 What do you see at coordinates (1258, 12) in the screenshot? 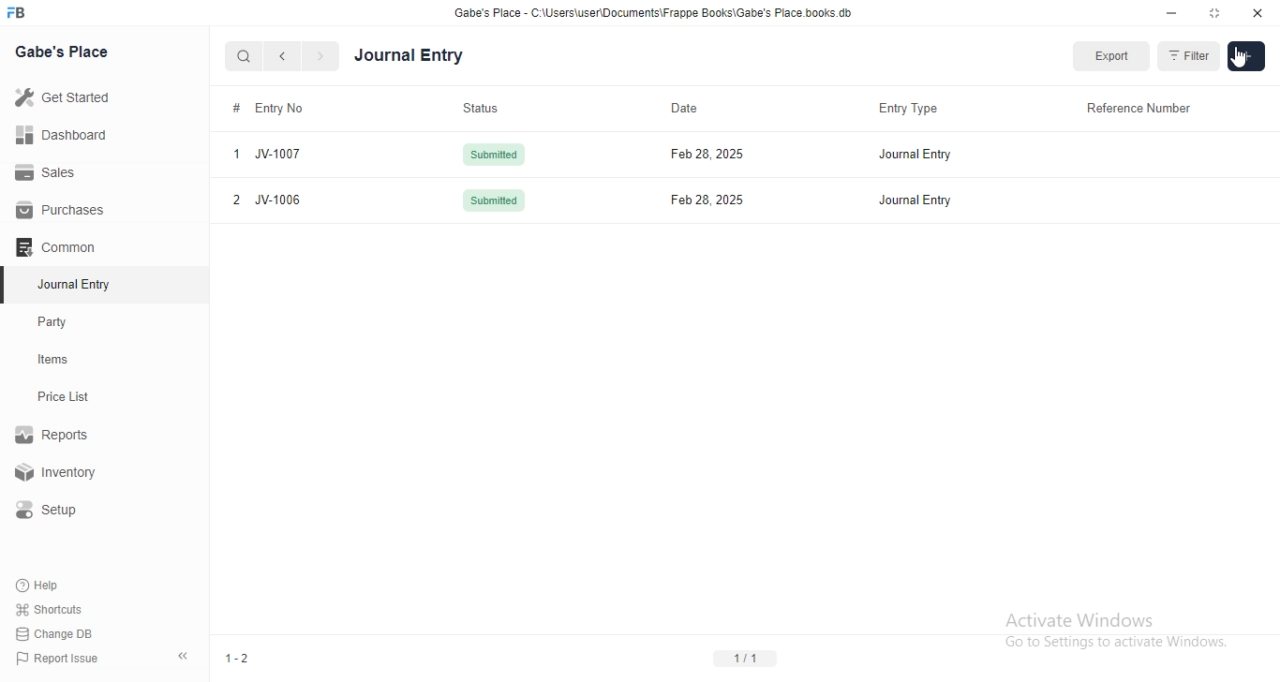
I see `close` at bounding box center [1258, 12].